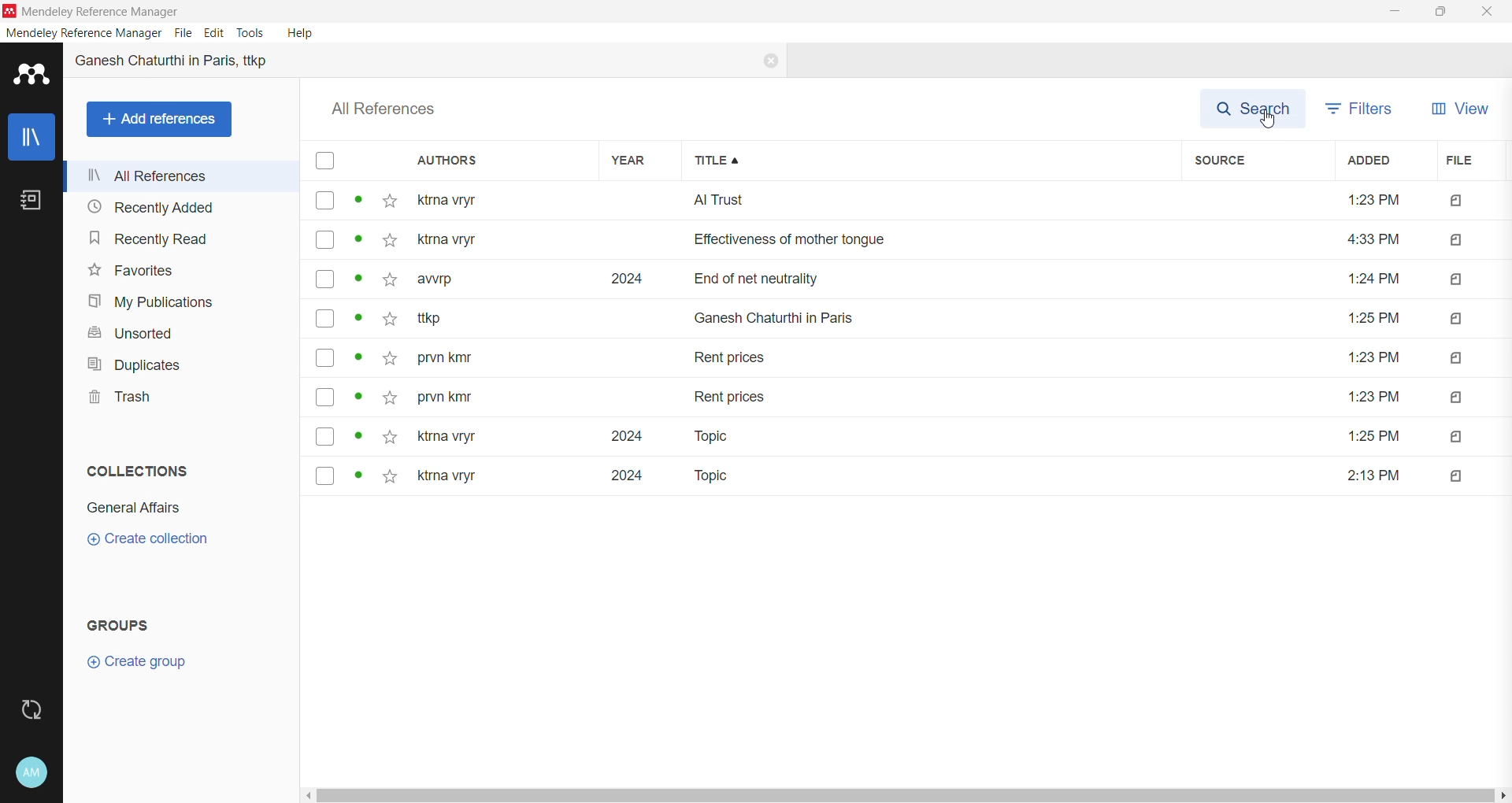 The image size is (1512, 803). Describe the element at coordinates (150, 240) in the screenshot. I see `Recently Read` at that location.